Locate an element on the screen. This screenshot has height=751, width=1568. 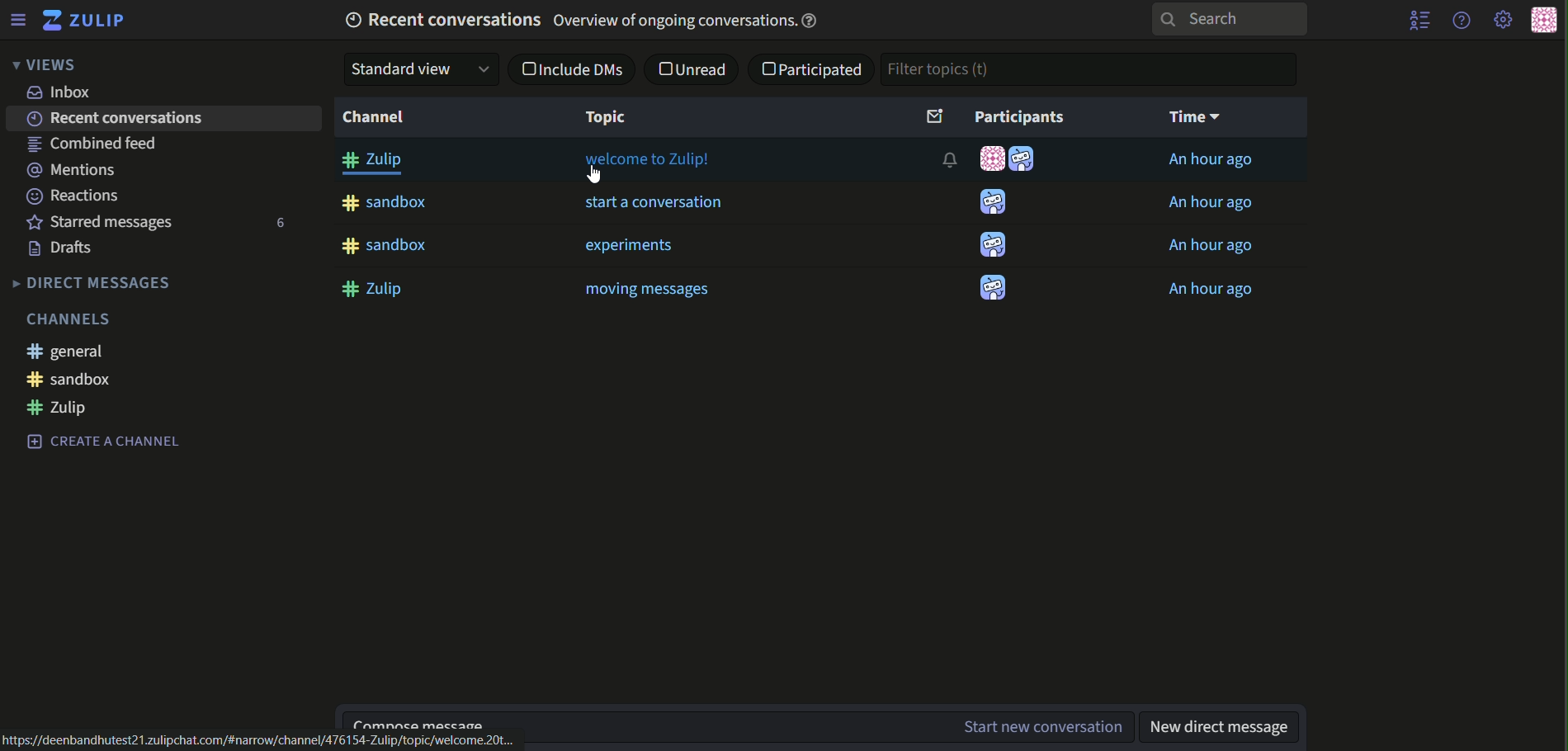
Time is located at coordinates (1199, 117).